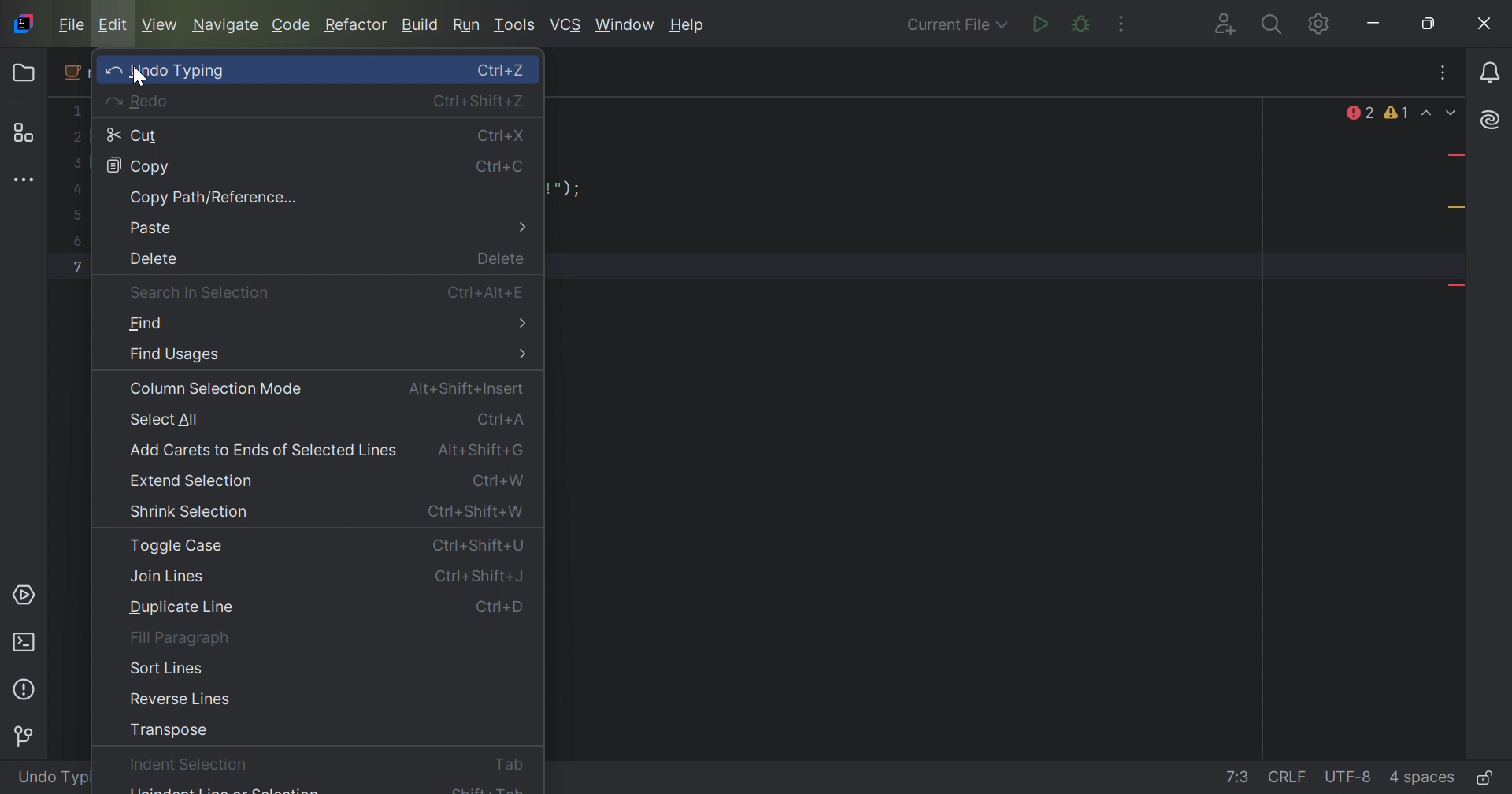 This screenshot has height=794, width=1512. I want to click on program text, so click(567, 189).